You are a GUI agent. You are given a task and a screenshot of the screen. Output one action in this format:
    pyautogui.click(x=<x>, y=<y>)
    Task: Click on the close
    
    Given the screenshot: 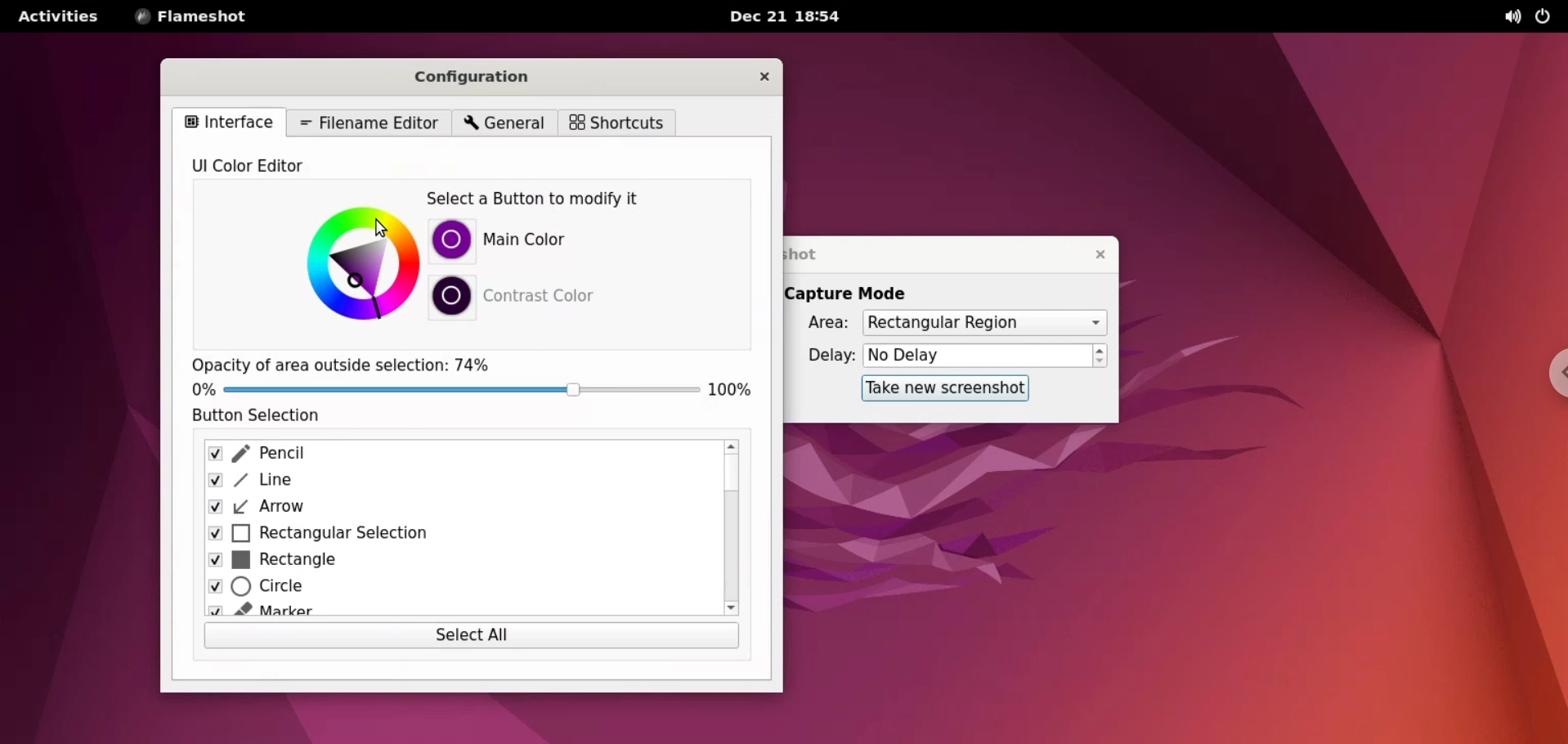 What is the action you would take?
    pyautogui.click(x=1094, y=254)
    